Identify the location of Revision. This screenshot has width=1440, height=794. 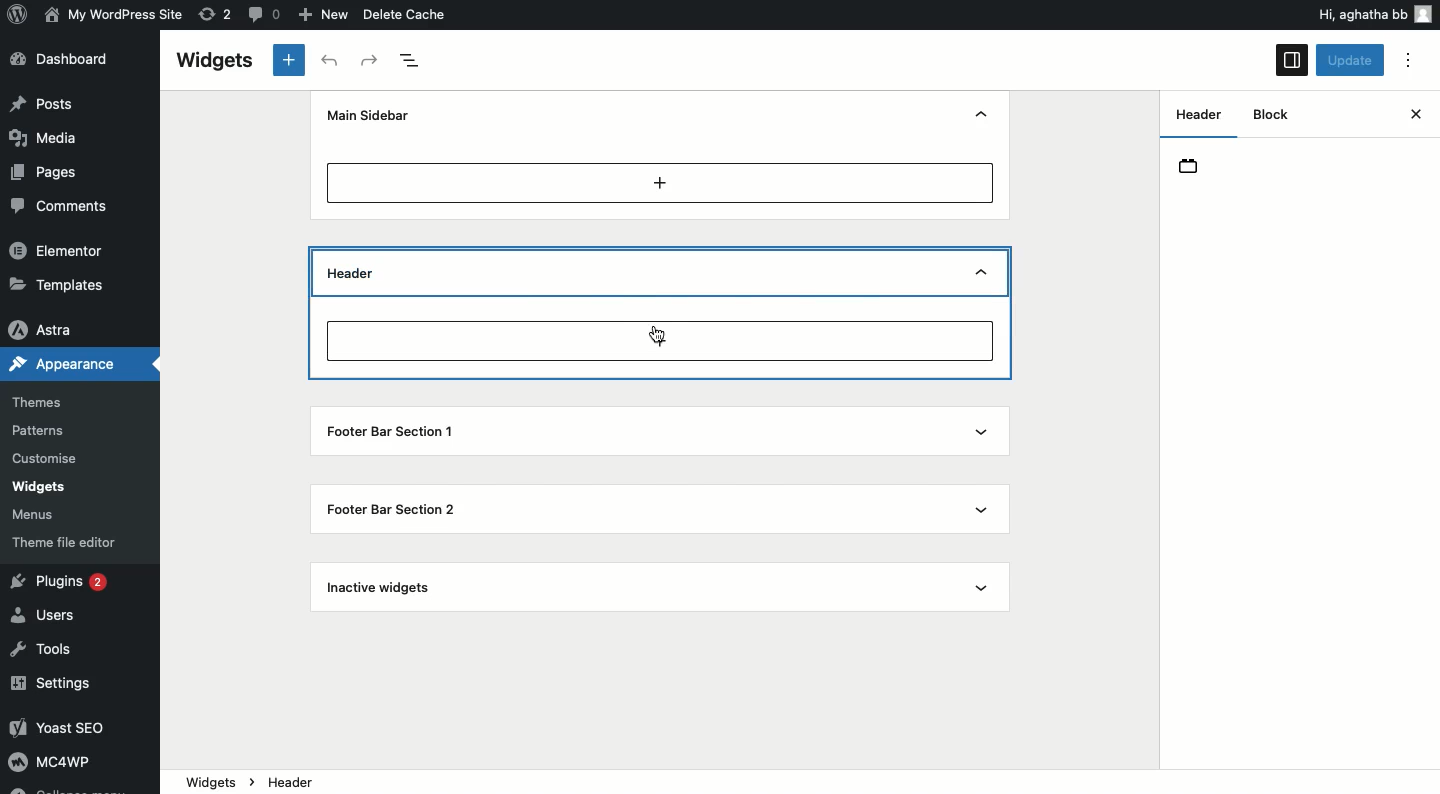
(216, 13).